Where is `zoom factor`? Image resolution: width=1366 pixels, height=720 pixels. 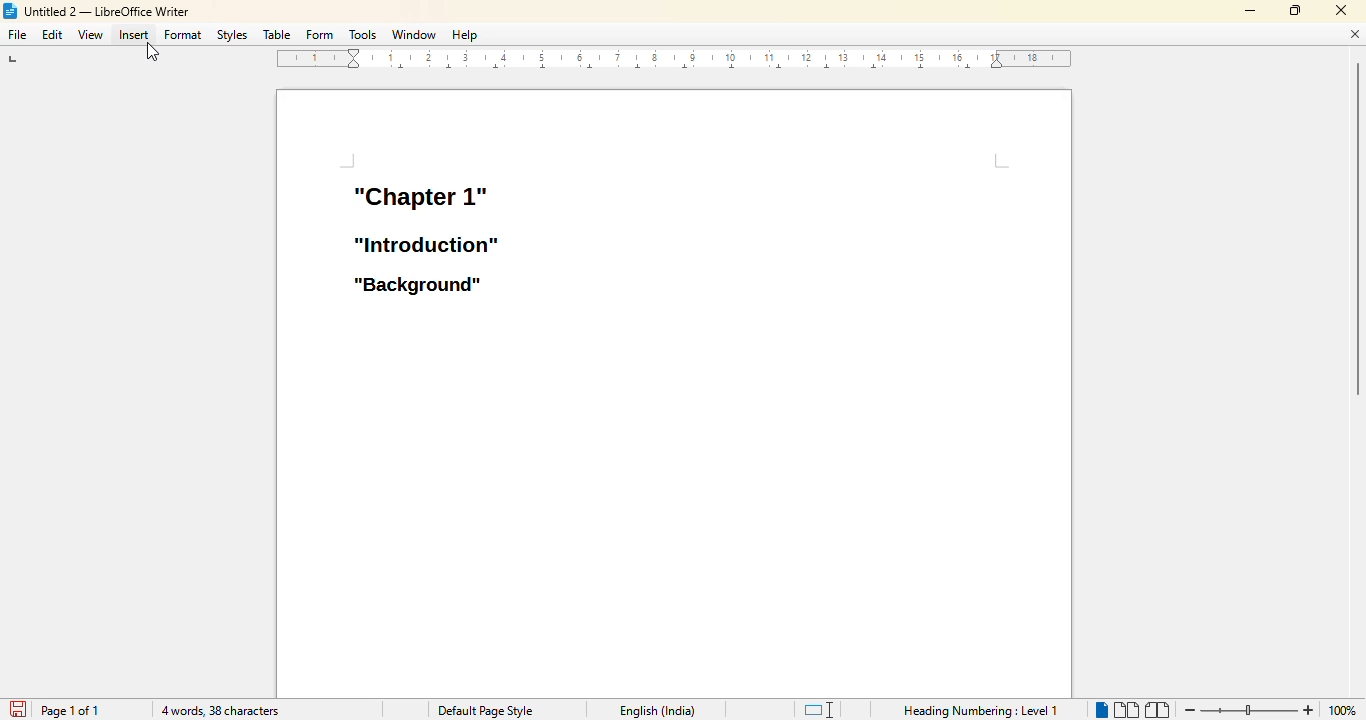 zoom factor is located at coordinates (1344, 711).